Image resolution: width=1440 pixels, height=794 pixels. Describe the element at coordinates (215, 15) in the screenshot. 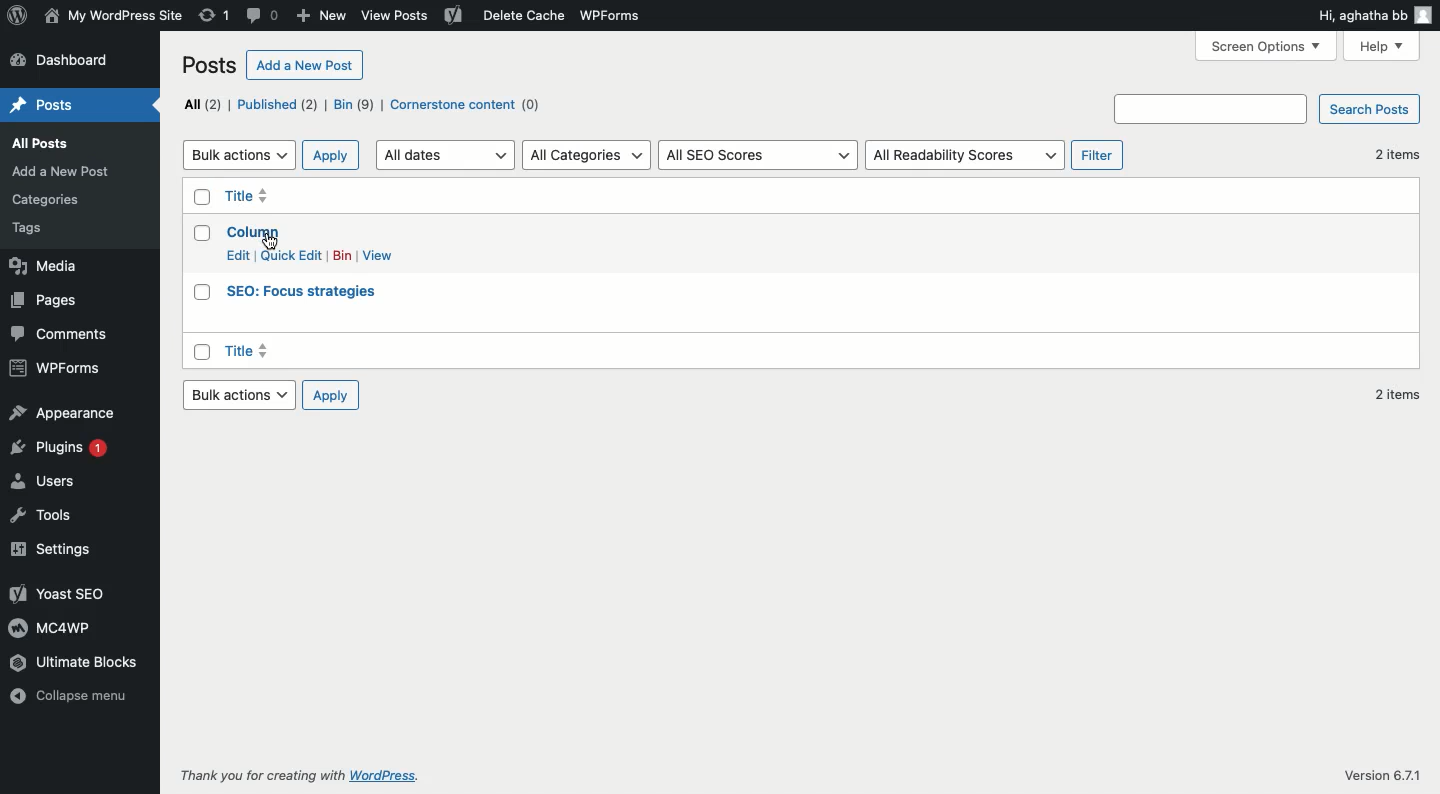

I see `Revision` at that location.